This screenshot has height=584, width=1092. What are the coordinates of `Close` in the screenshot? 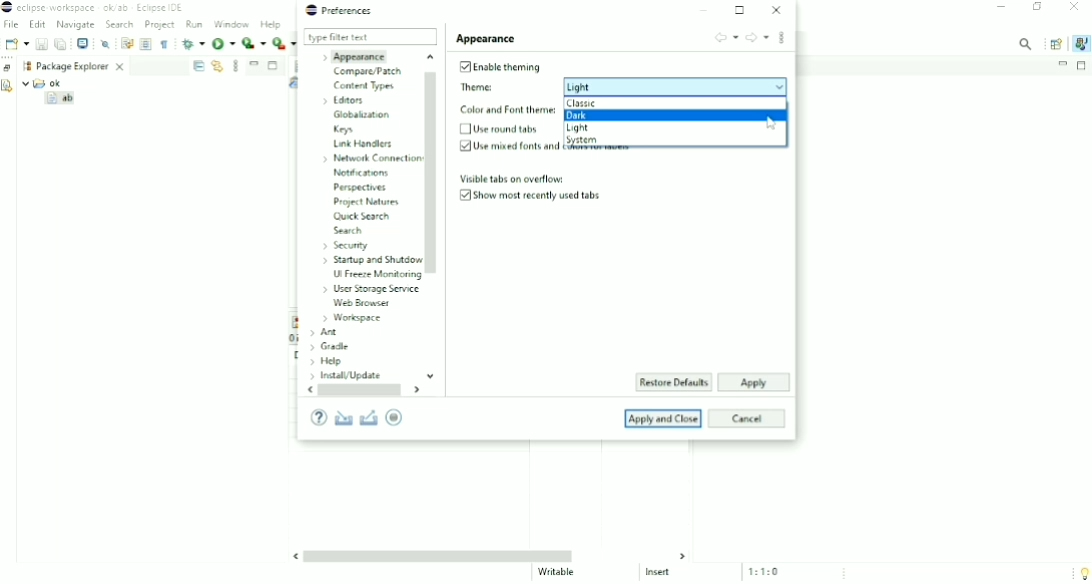 It's located at (776, 10).